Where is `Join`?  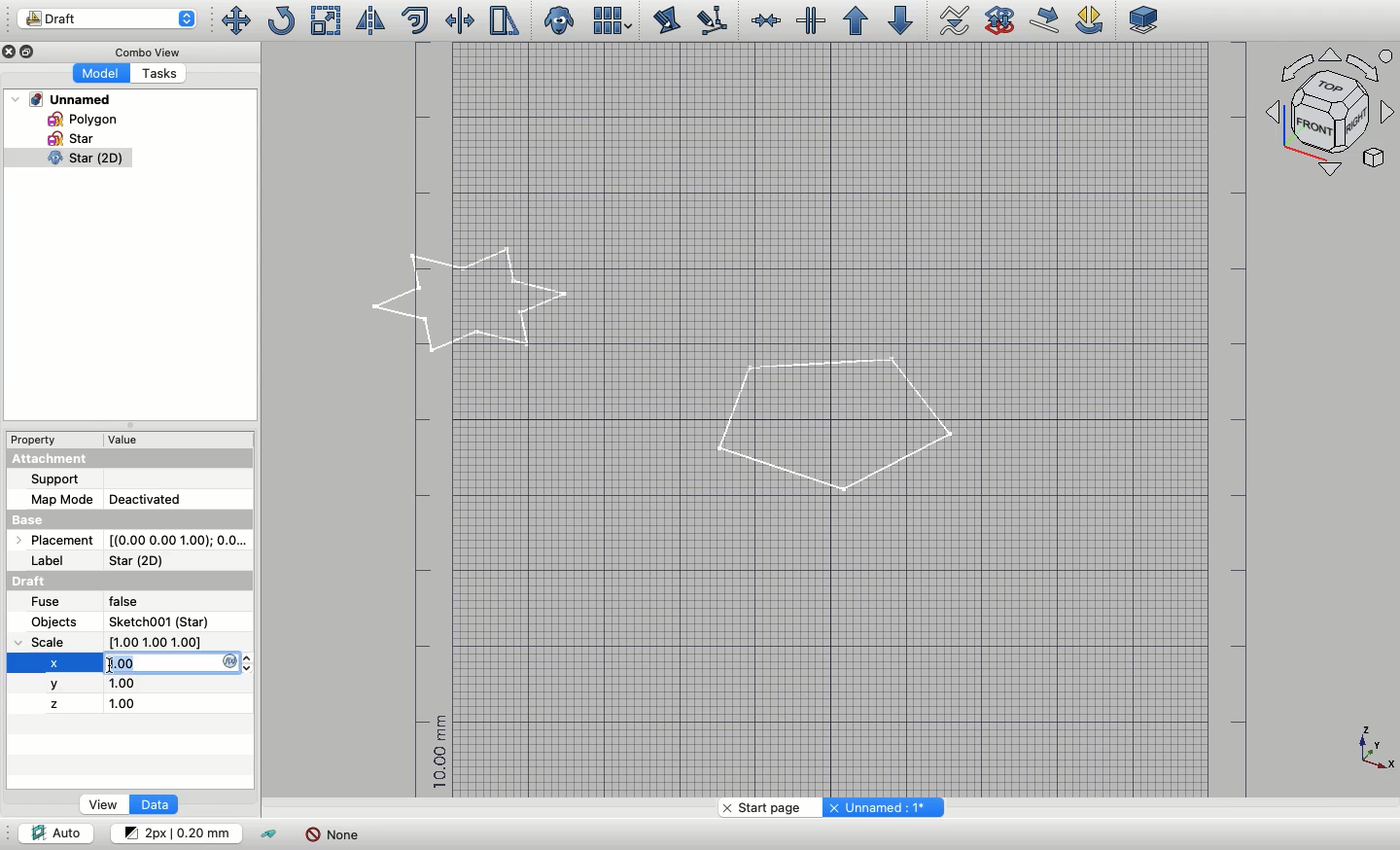 Join is located at coordinates (765, 20).